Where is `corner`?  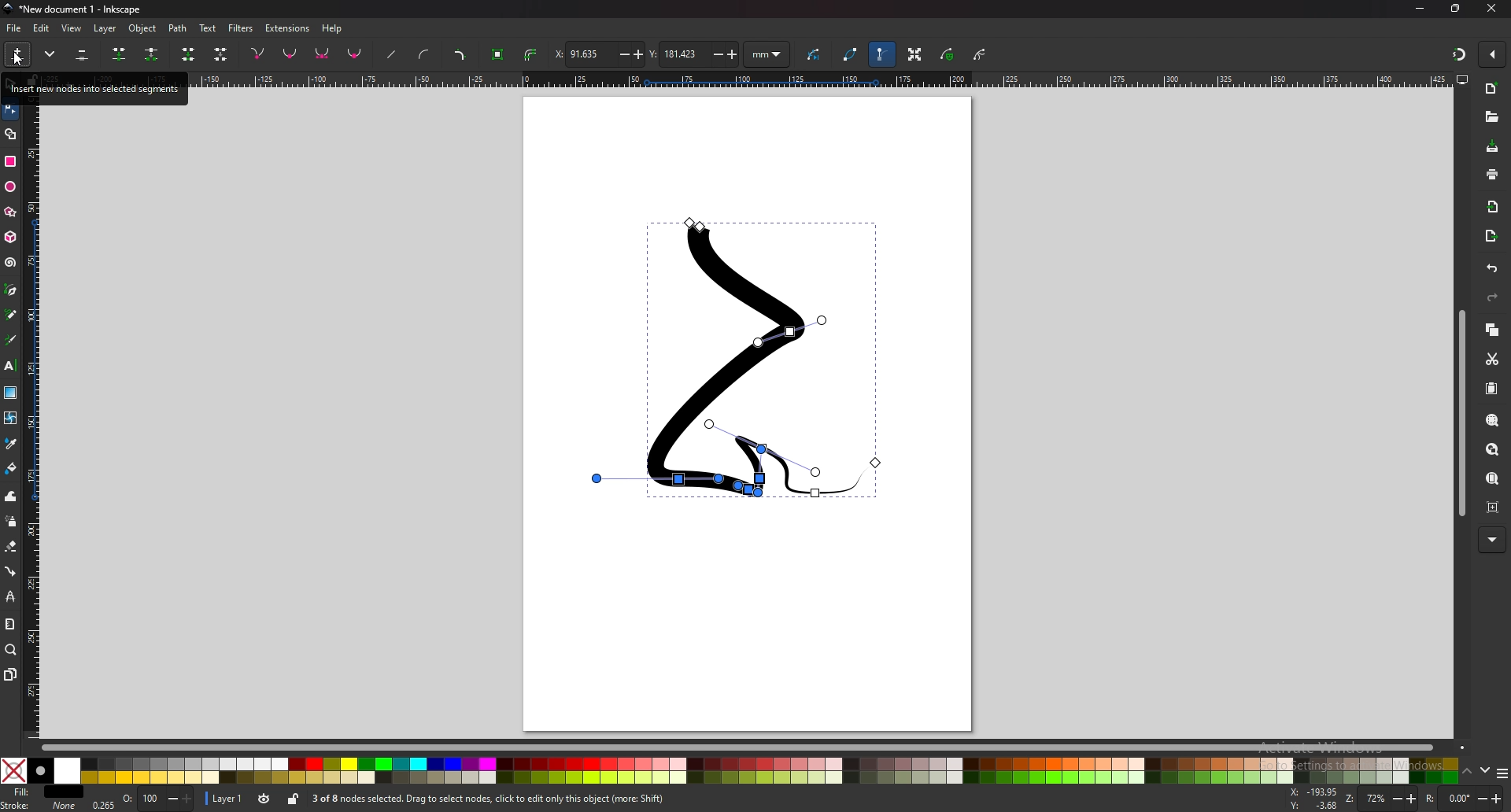 corner is located at coordinates (258, 54).